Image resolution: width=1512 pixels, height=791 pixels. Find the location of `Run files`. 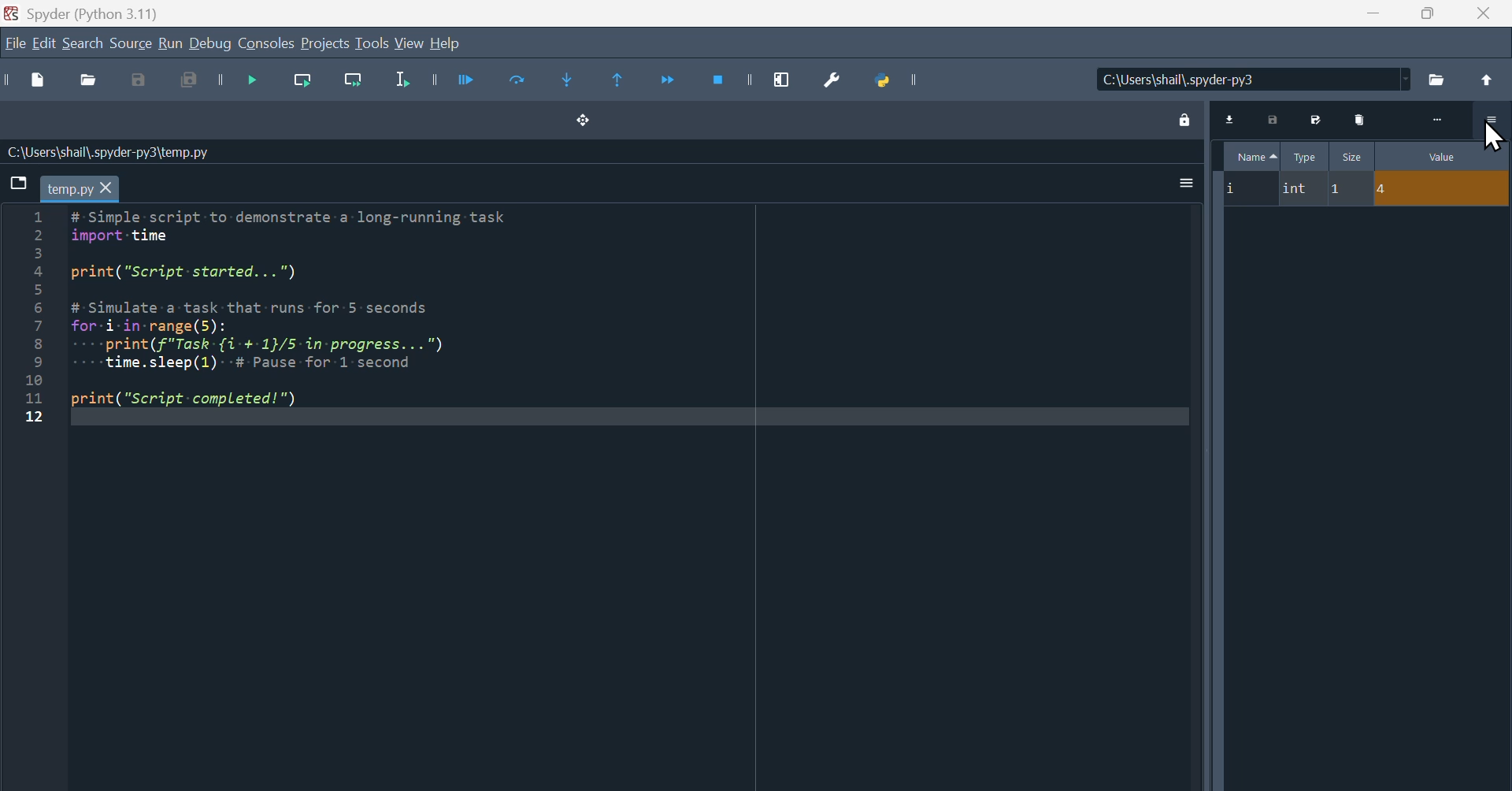

Run files is located at coordinates (468, 83).